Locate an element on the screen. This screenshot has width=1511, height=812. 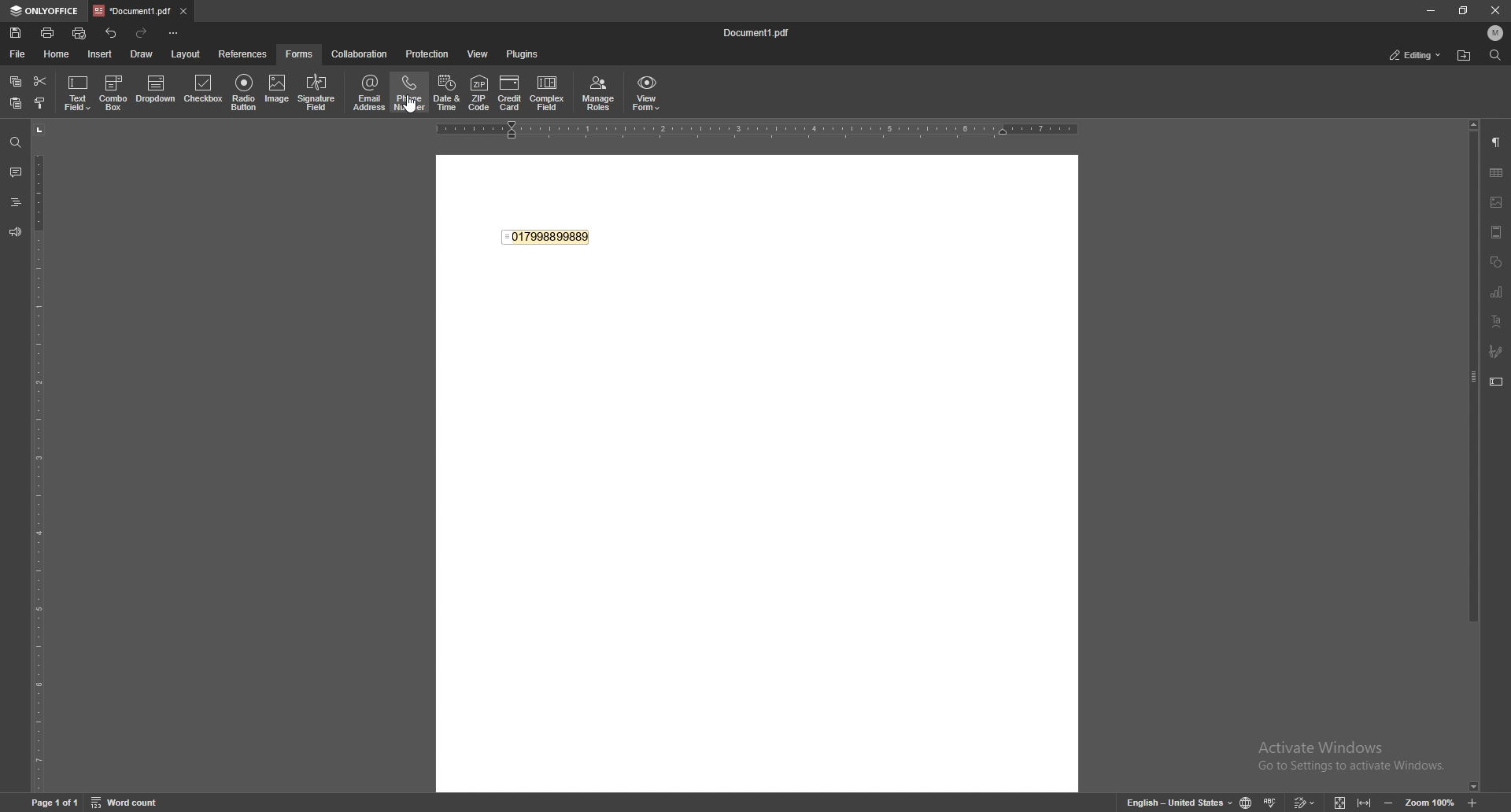
find is located at coordinates (1496, 56).